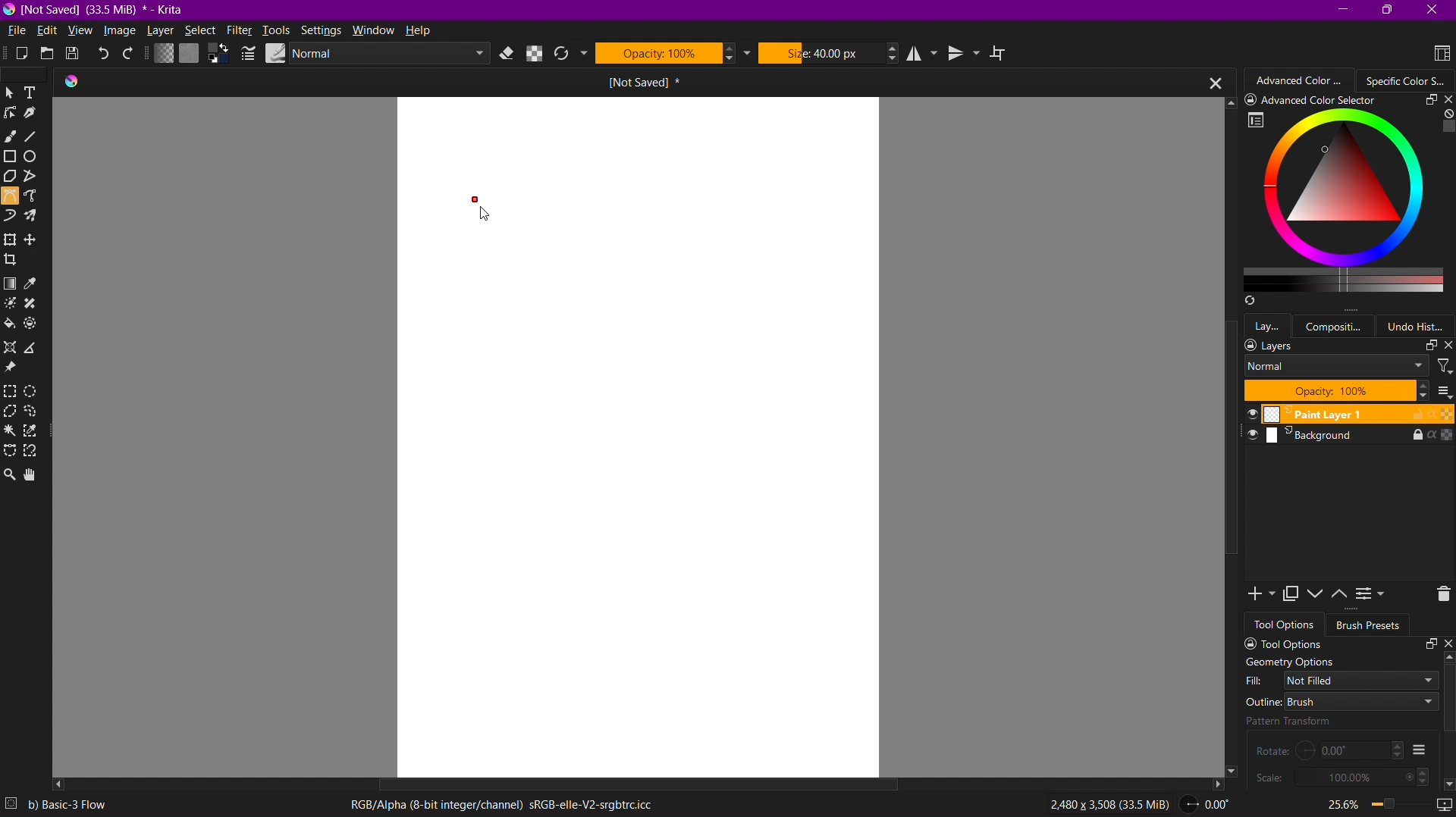 The width and height of the screenshot is (1456, 817). I want to click on Paint Layer 1, so click(1343, 415).